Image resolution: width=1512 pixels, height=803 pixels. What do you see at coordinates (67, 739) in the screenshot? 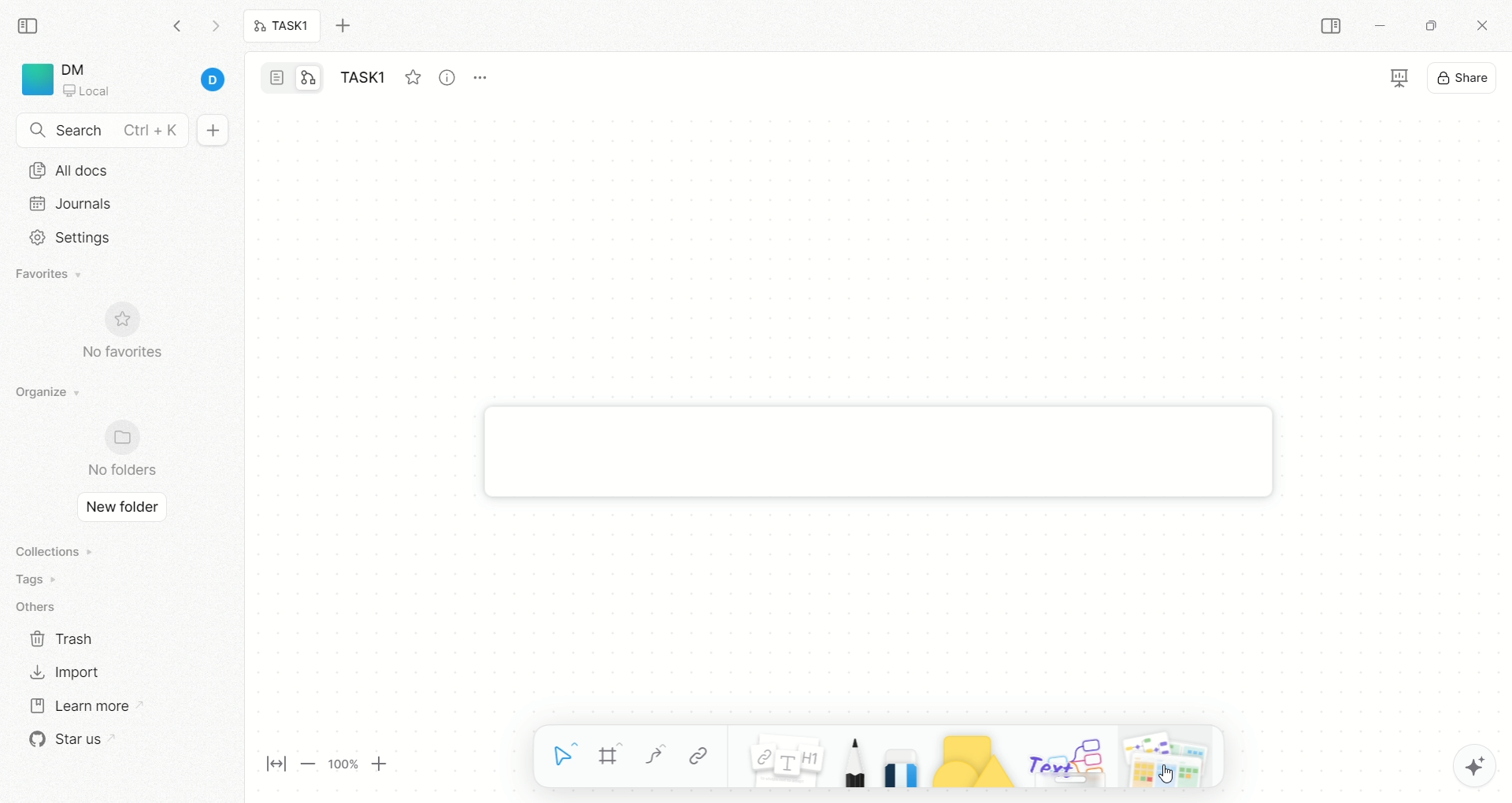
I see `star us` at bounding box center [67, 739].